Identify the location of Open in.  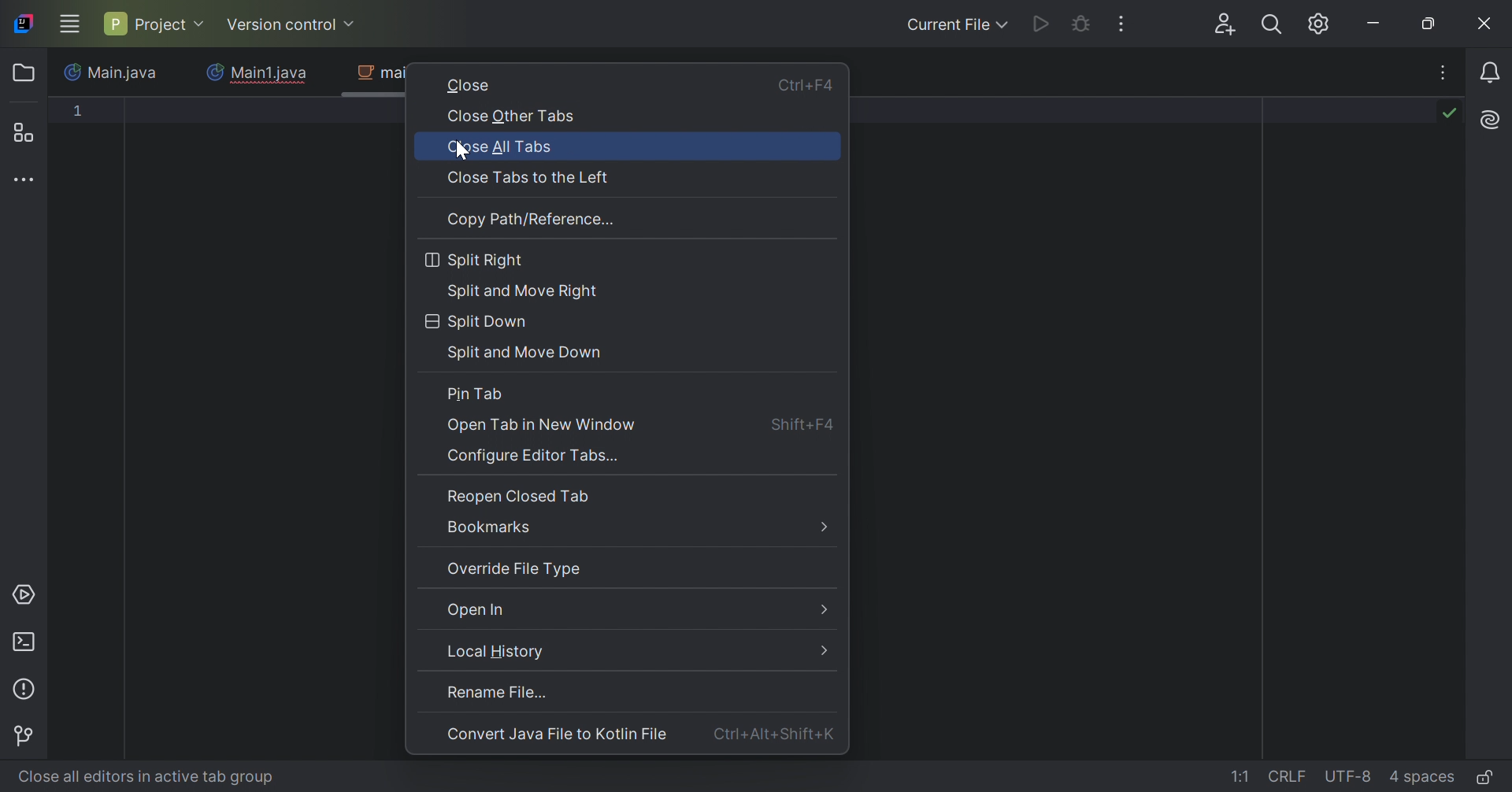
(633, 610).